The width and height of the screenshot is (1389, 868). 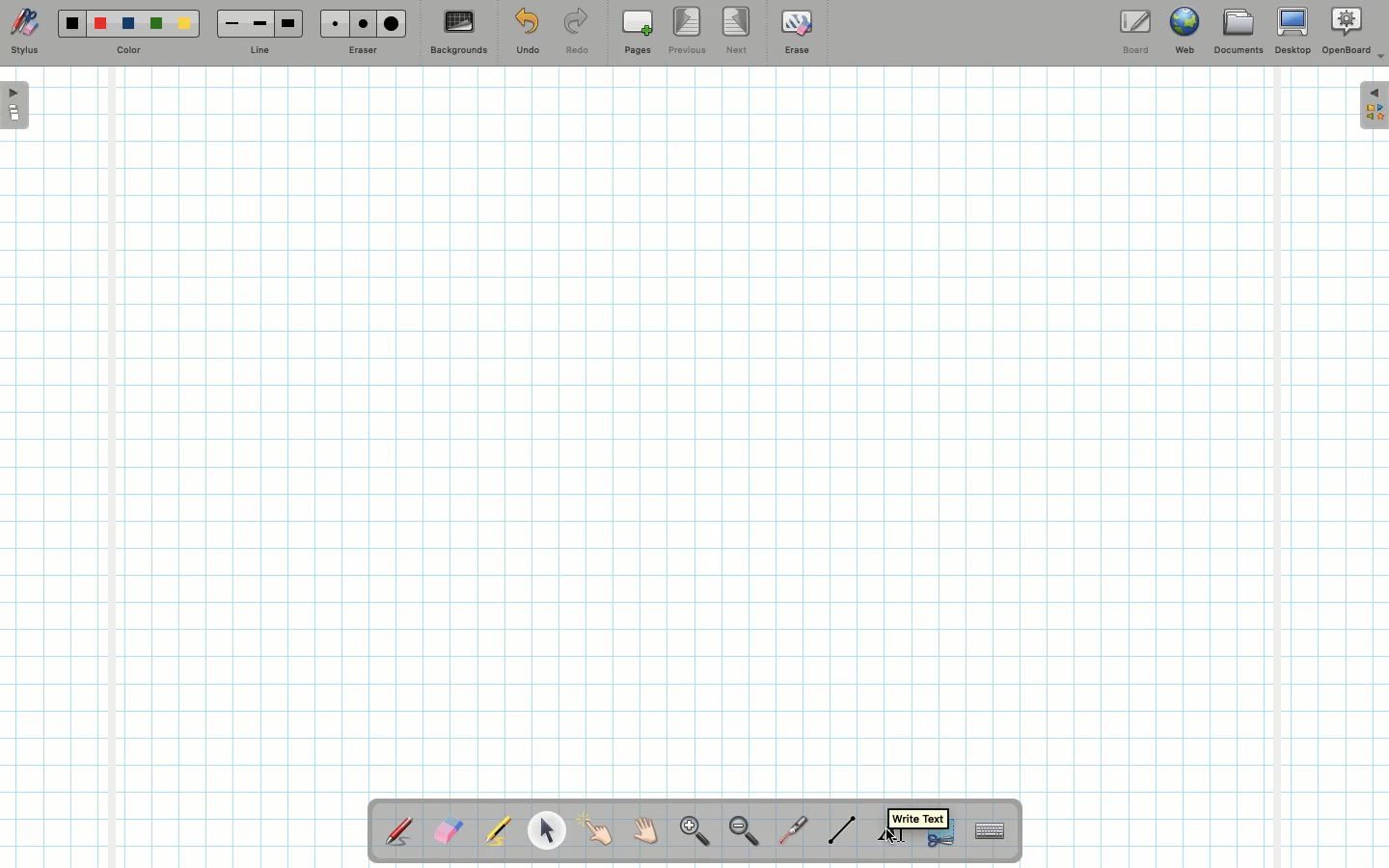 I want to click on Undo, so click(x=527, y=35).